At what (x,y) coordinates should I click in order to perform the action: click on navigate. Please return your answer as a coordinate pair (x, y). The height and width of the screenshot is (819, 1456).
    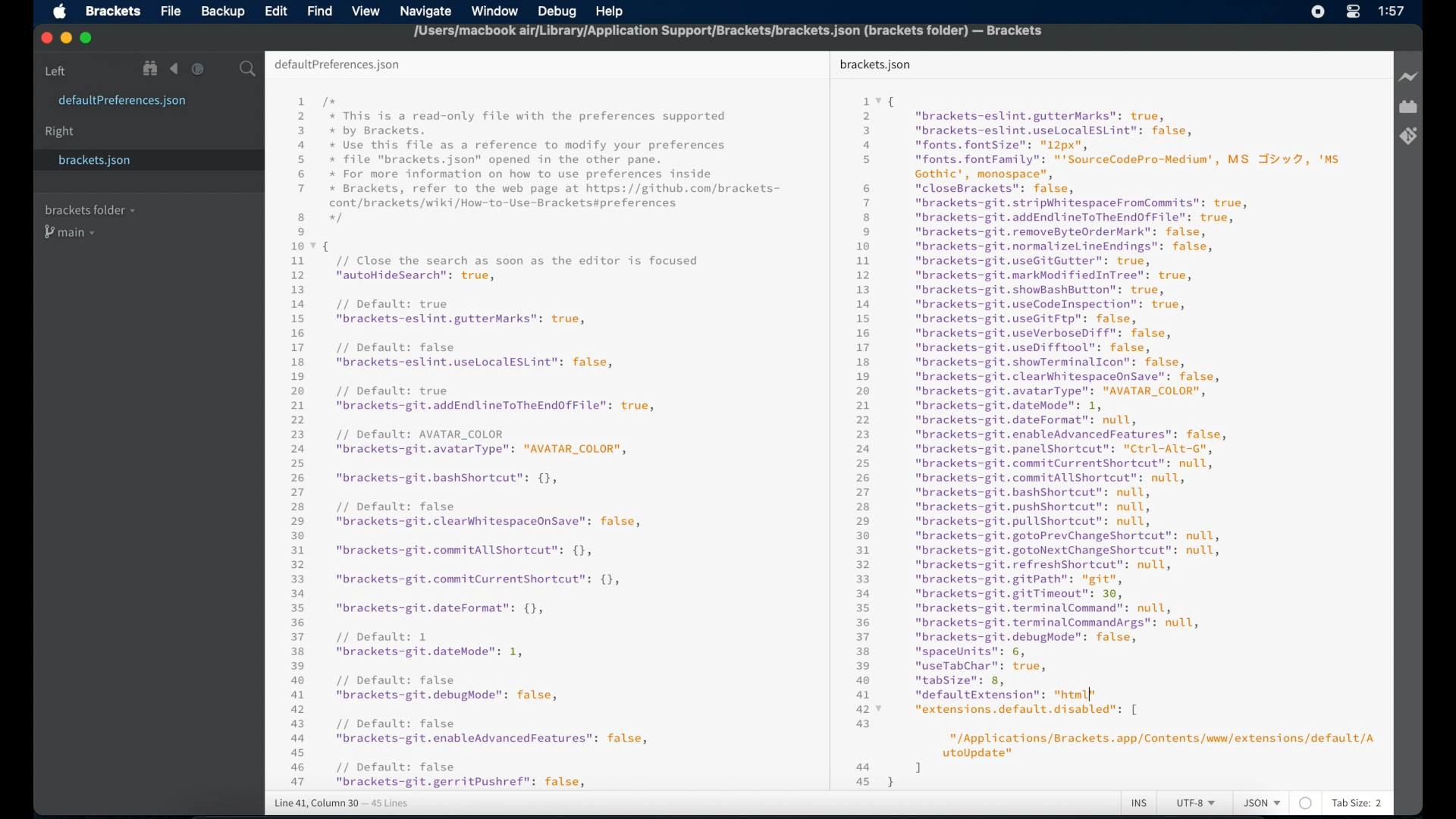
    Looking at the image, I should click on (429, 11).